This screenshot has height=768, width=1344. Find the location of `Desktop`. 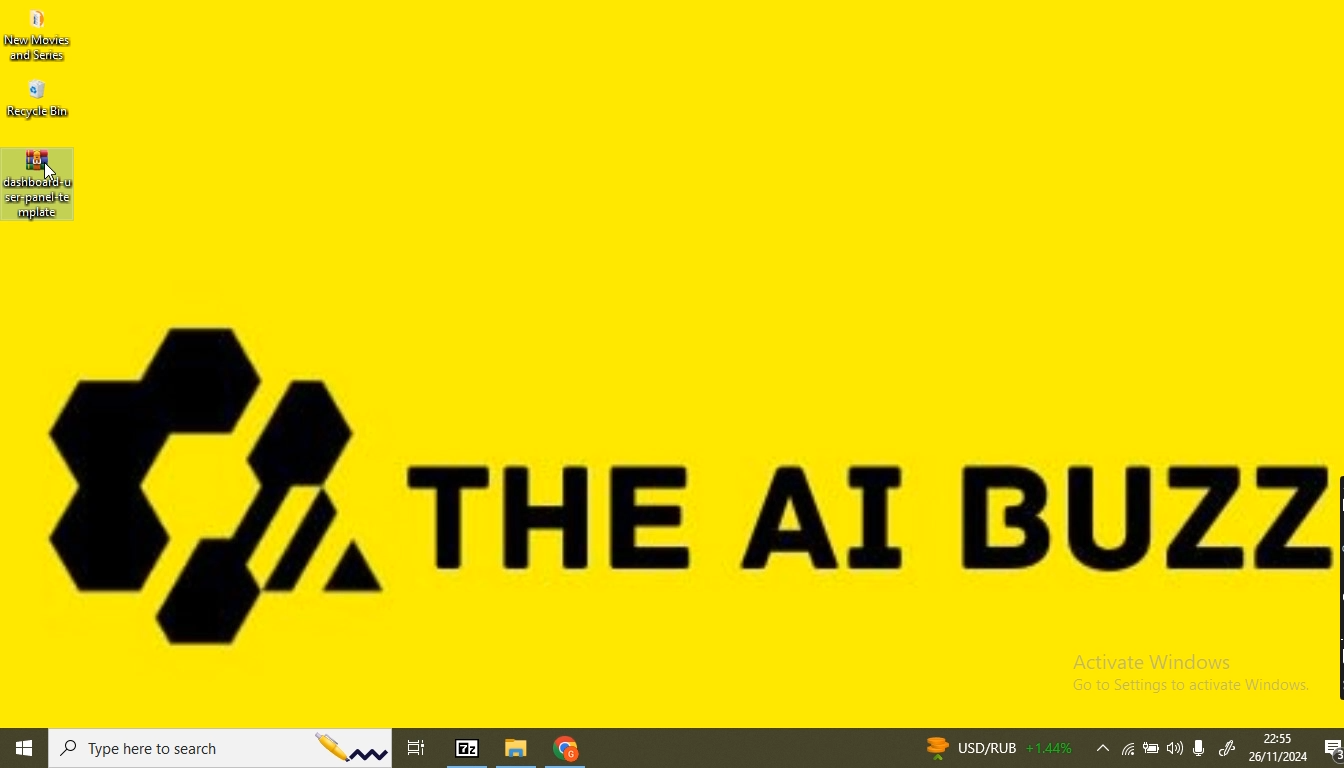

Desktop is located at coordinates (721, 368).